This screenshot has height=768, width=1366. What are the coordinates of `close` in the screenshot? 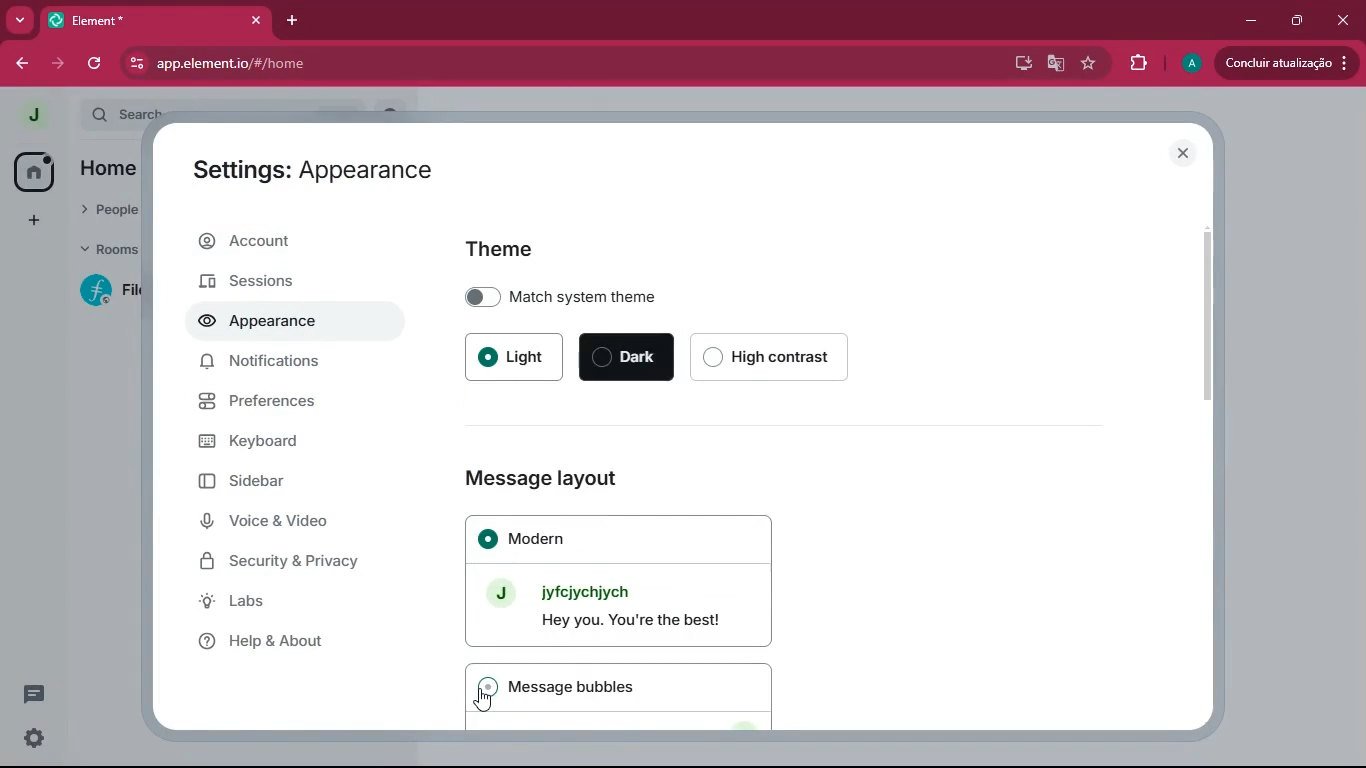 It's located at (1186, 154).